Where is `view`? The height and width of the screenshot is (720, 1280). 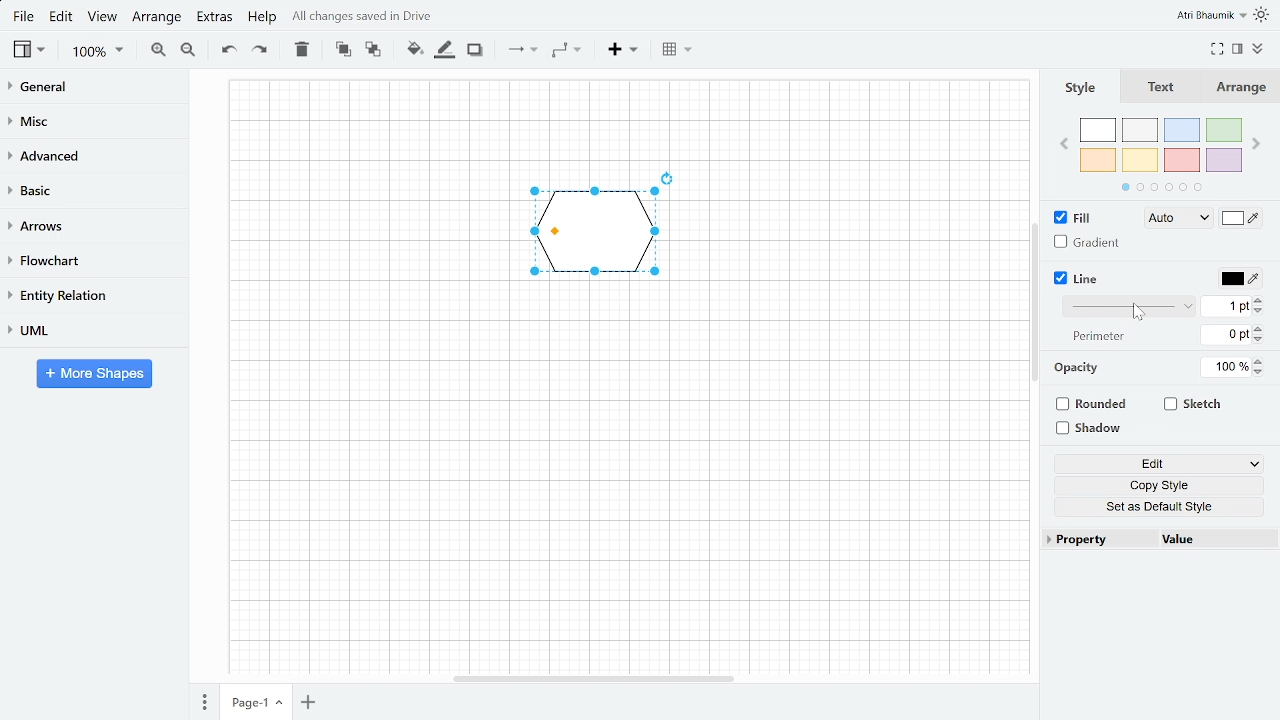 view is located at coordinates (29, 51).